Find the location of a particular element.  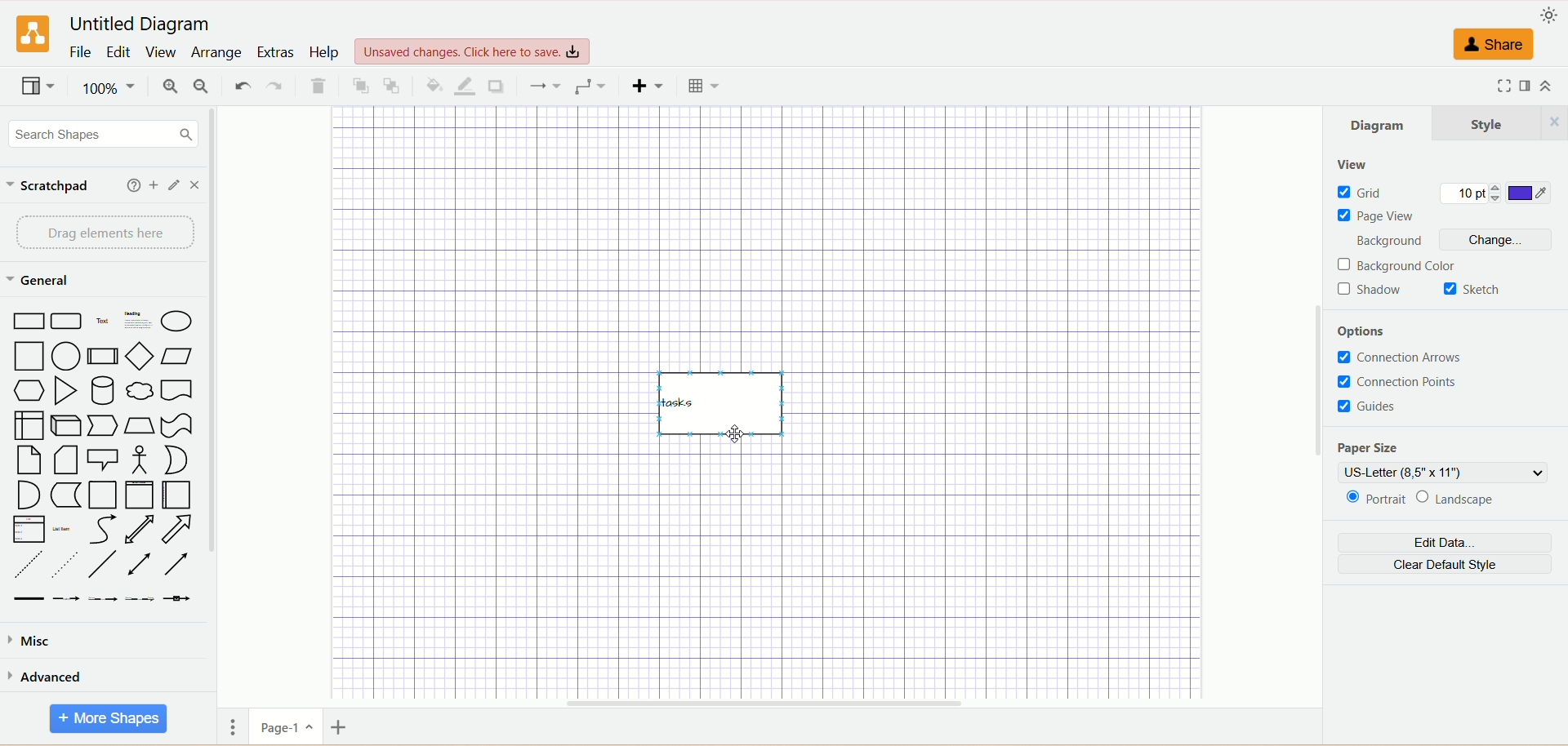

grid is located at coordinates (1368, 192).